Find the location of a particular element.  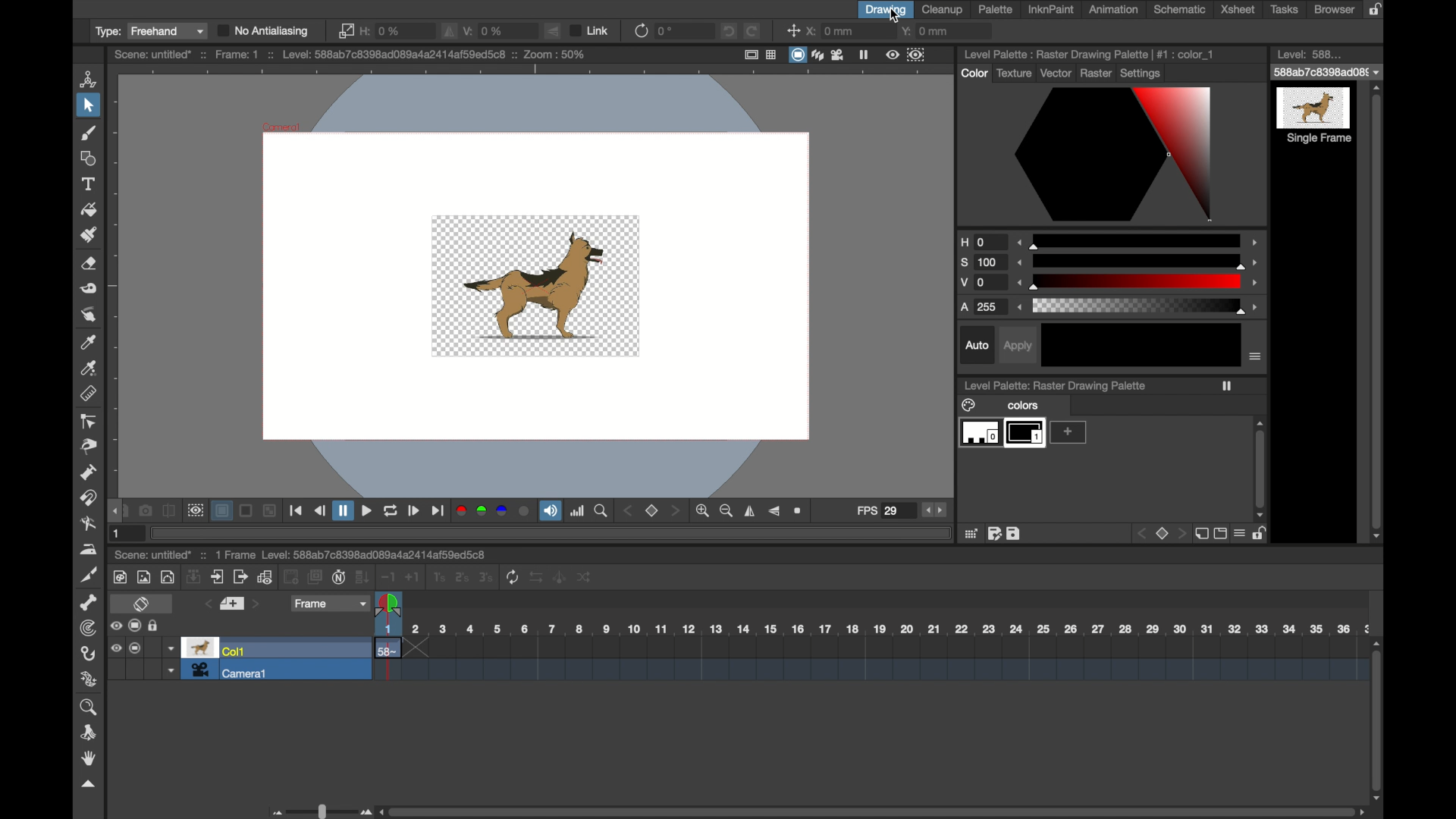

link is located at coordinates (346, 31).